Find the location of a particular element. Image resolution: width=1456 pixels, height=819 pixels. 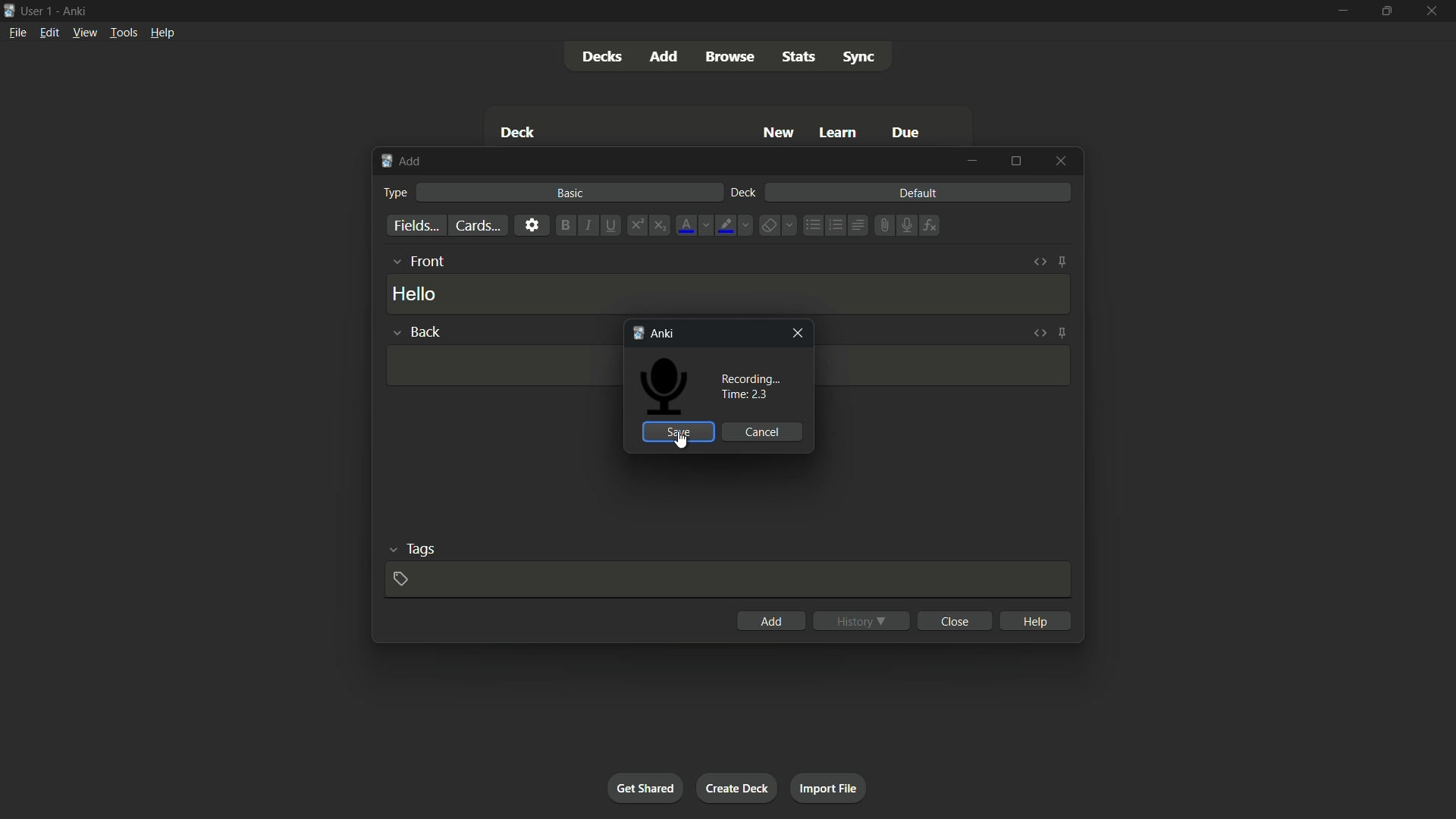

due is located at coordinates (908, 131).